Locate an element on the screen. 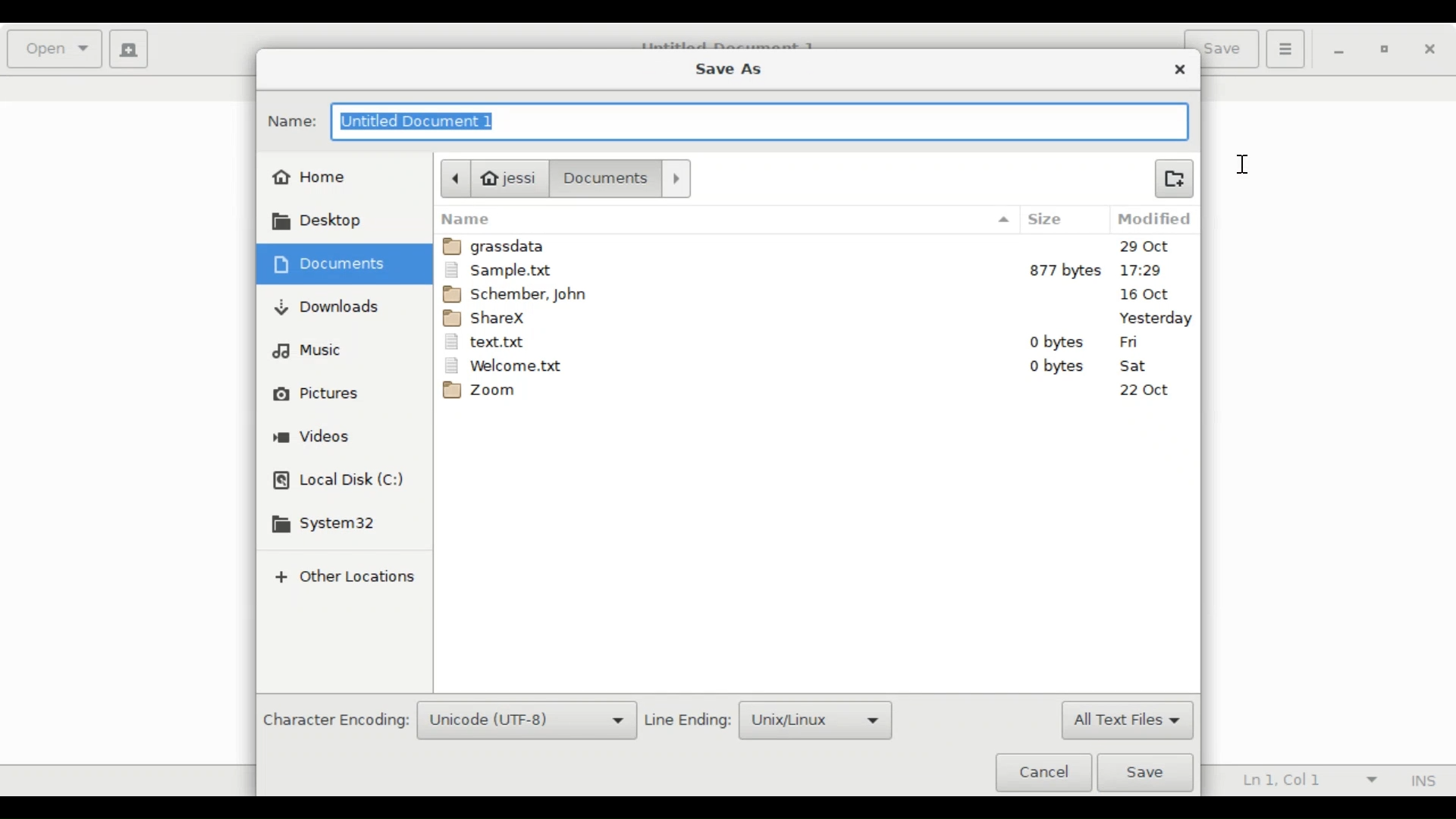 This screenshot has width=1456, height=819. Ln 1, Col 1 is located at coordinates (1305, 781).